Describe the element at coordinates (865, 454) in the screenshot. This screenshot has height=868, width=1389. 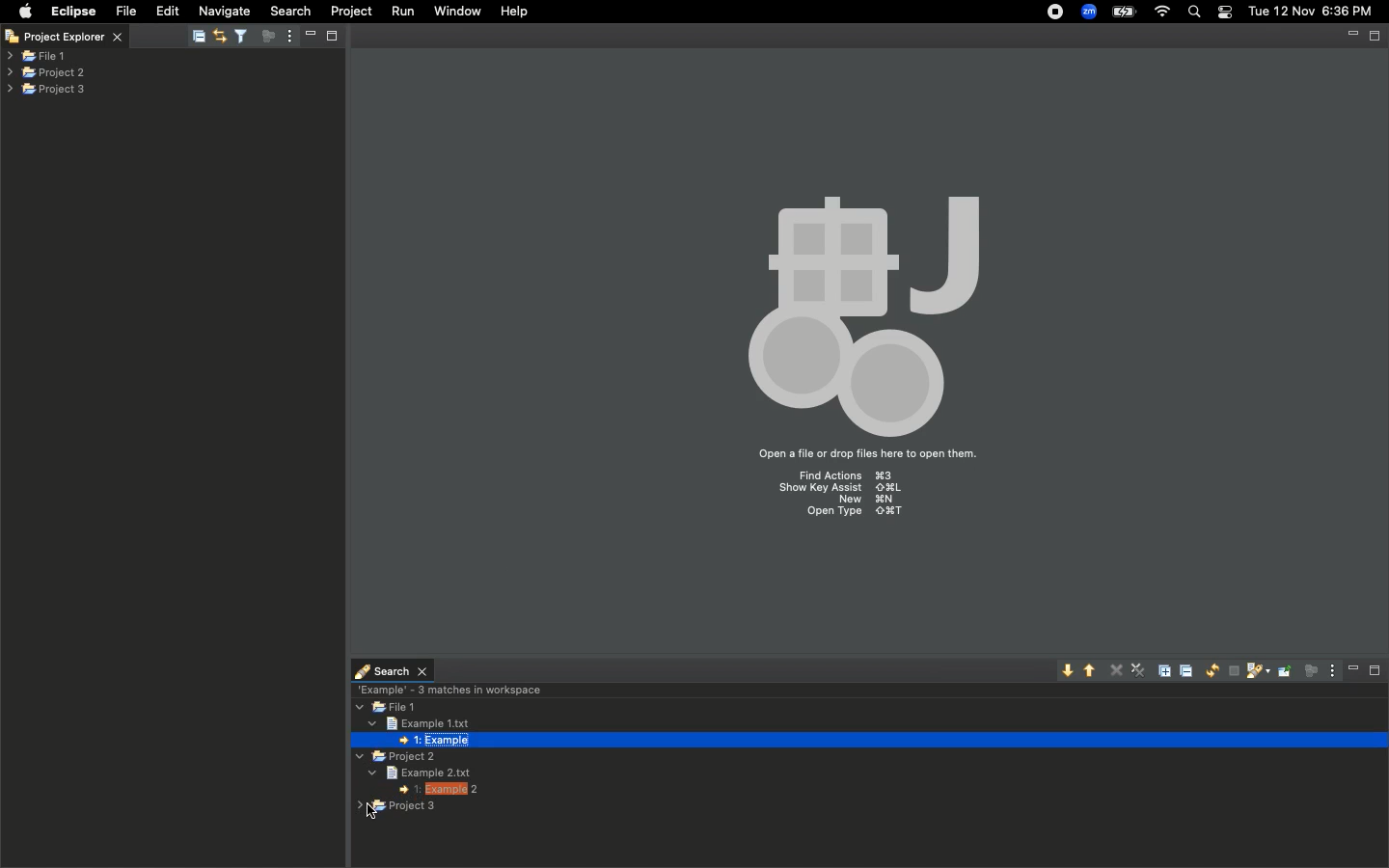
I see `Drag files here to open them` at that location.